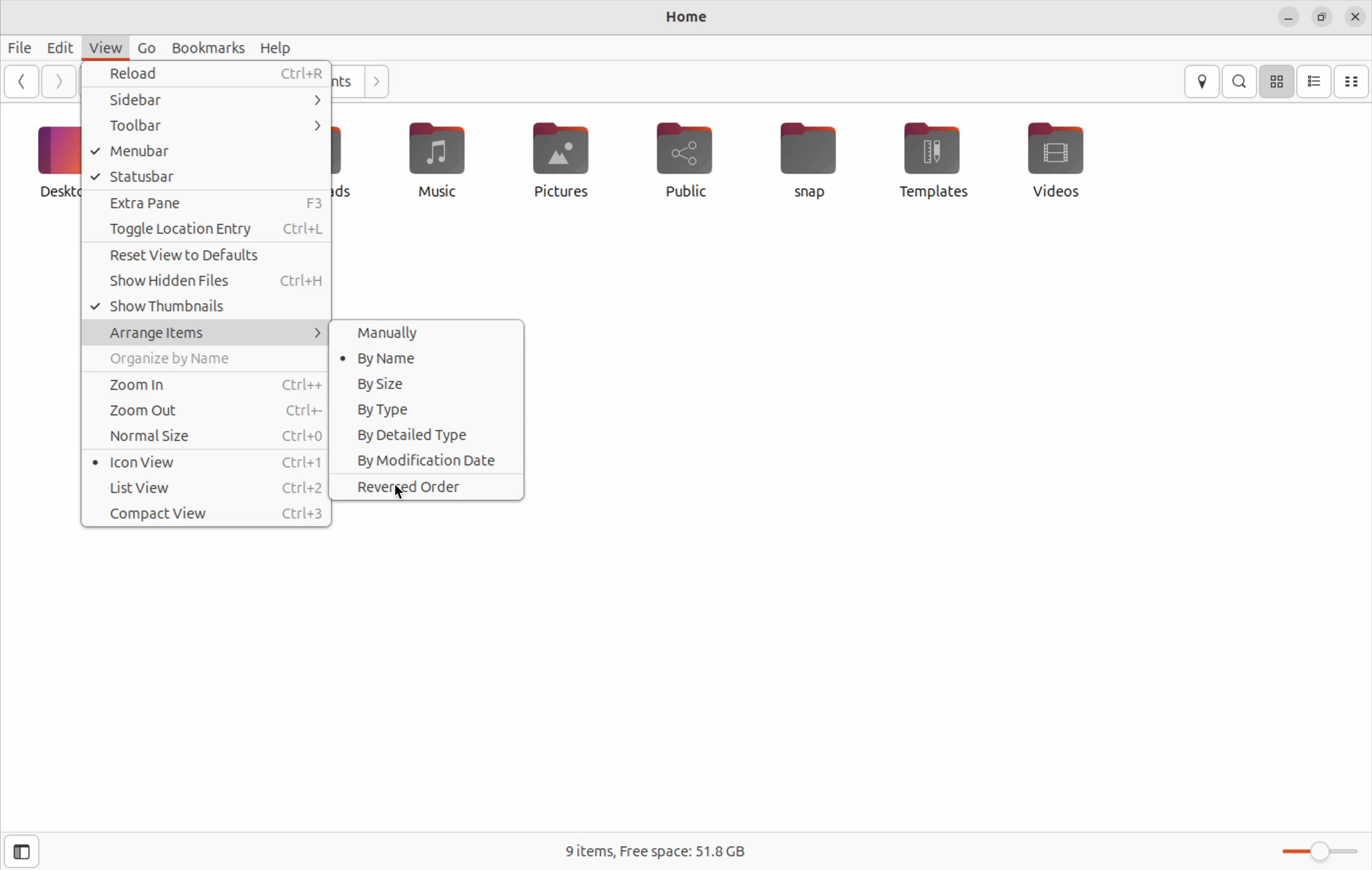  Describe the element at coordinates (210, 488) in the screenshot. I see `list view` at that location.